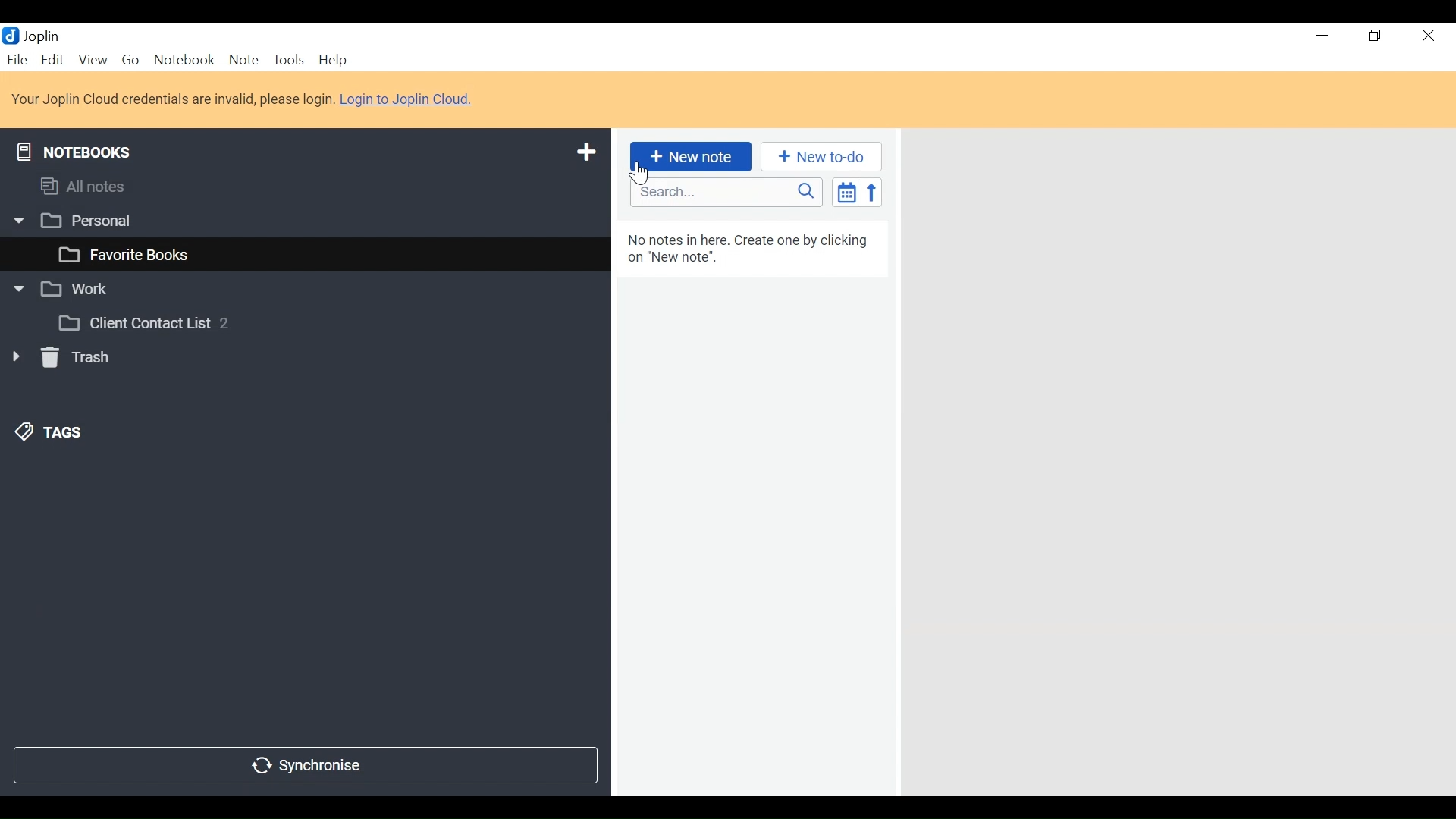  What do you see at coordinates (1429, 34) in the screenshot?
I see `Close` at bounding box center [1429, 34].